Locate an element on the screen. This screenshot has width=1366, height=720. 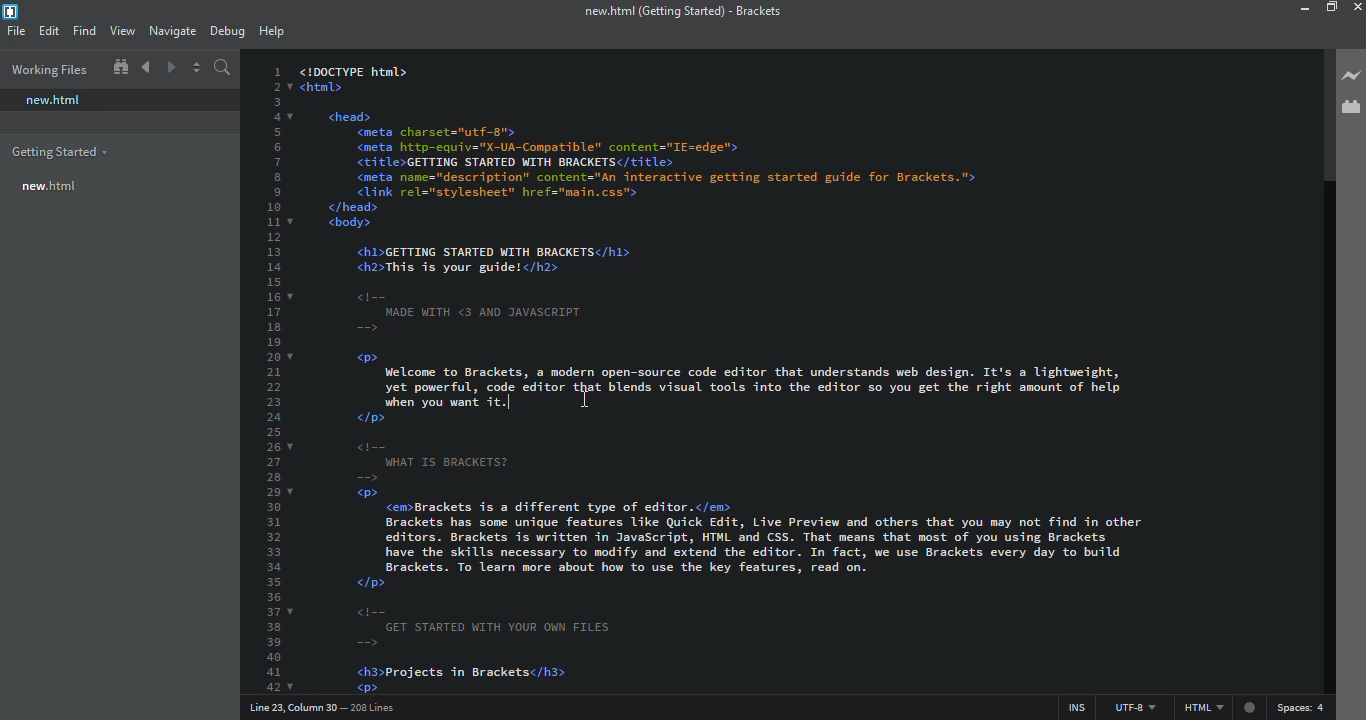
view is located at coordinates (125, 30).